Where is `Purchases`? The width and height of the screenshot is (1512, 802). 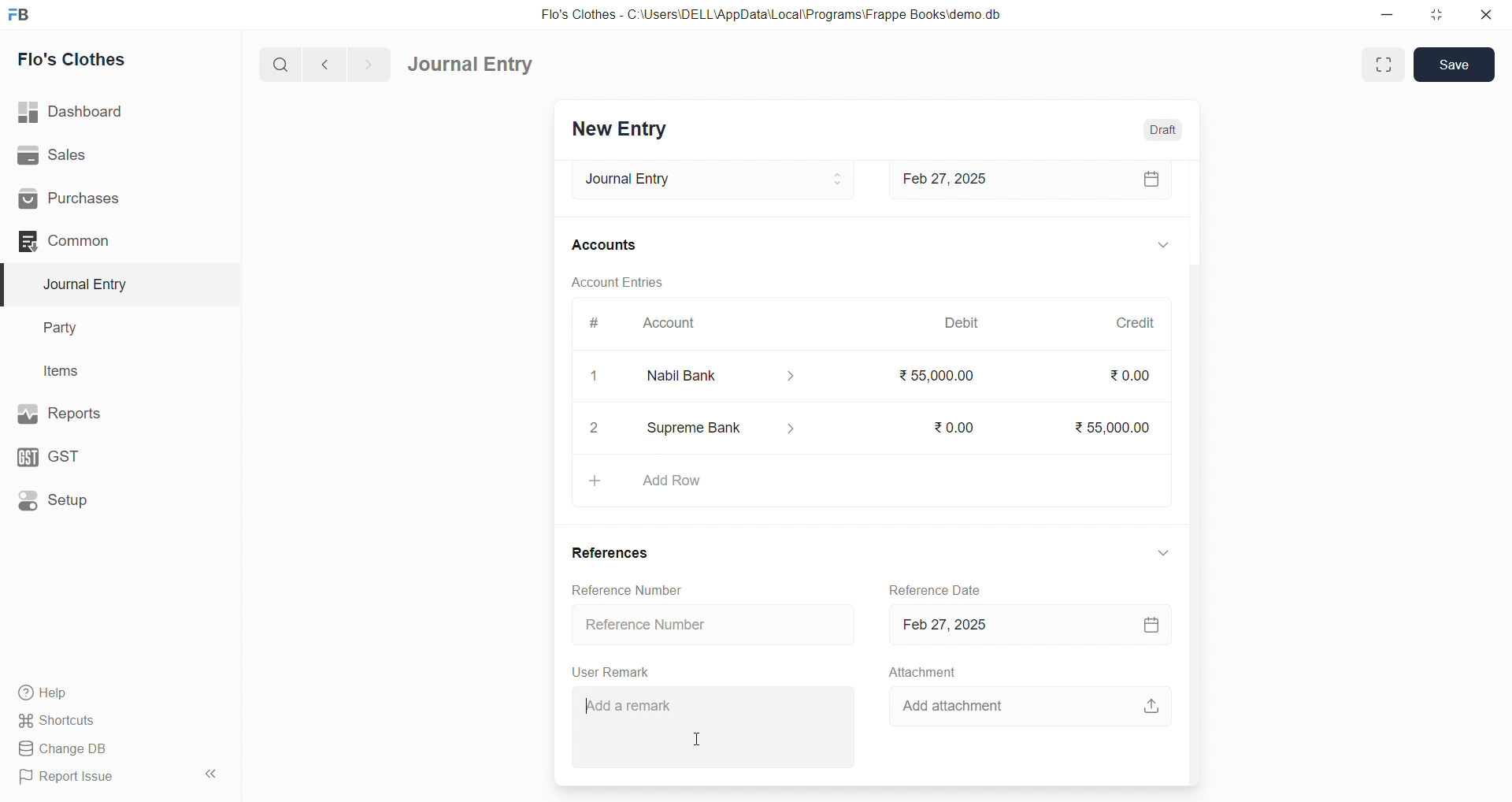
Purchases is located at coordinates (95, 200).